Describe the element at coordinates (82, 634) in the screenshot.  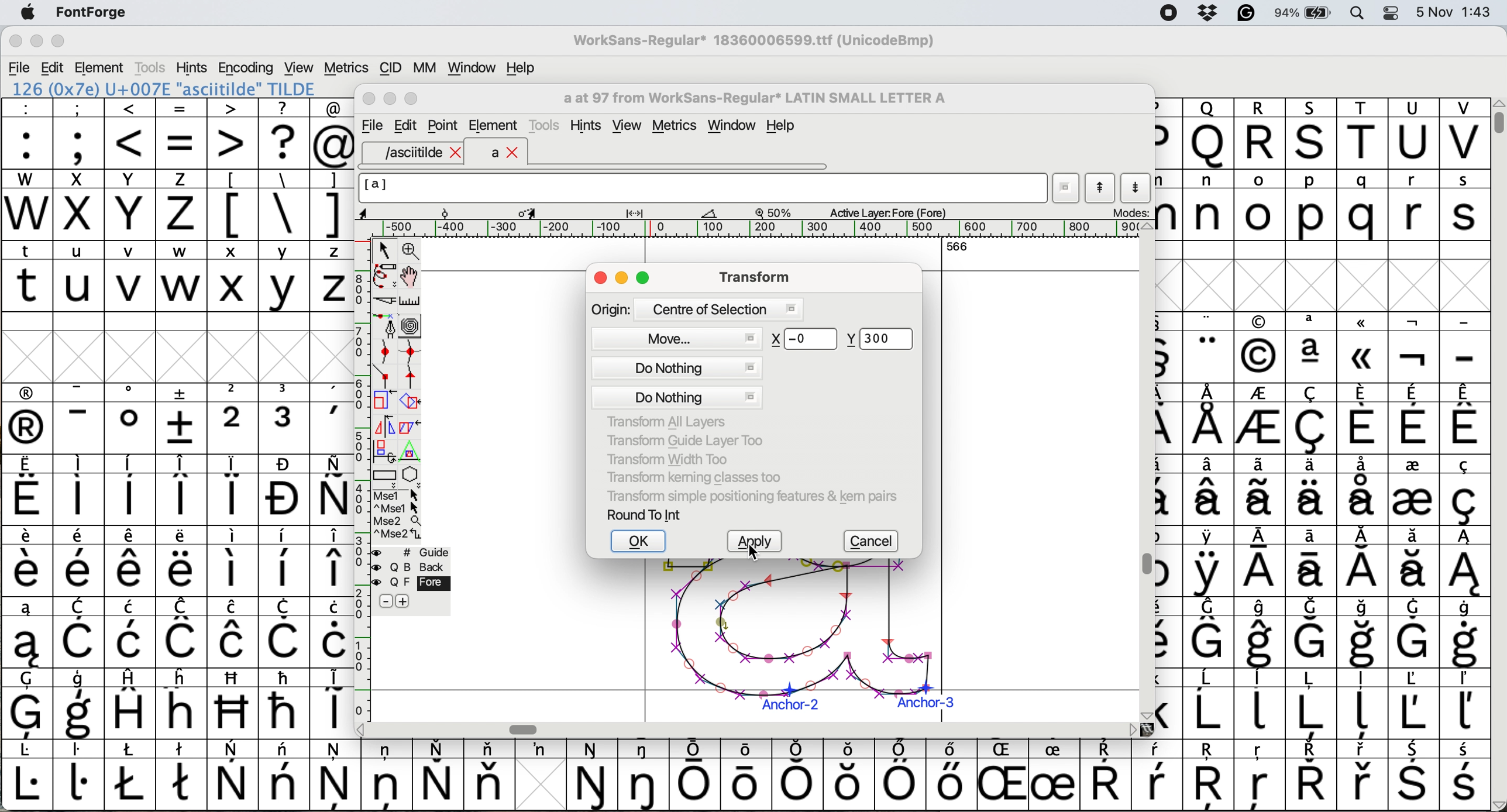
I see `symbol` at that location.